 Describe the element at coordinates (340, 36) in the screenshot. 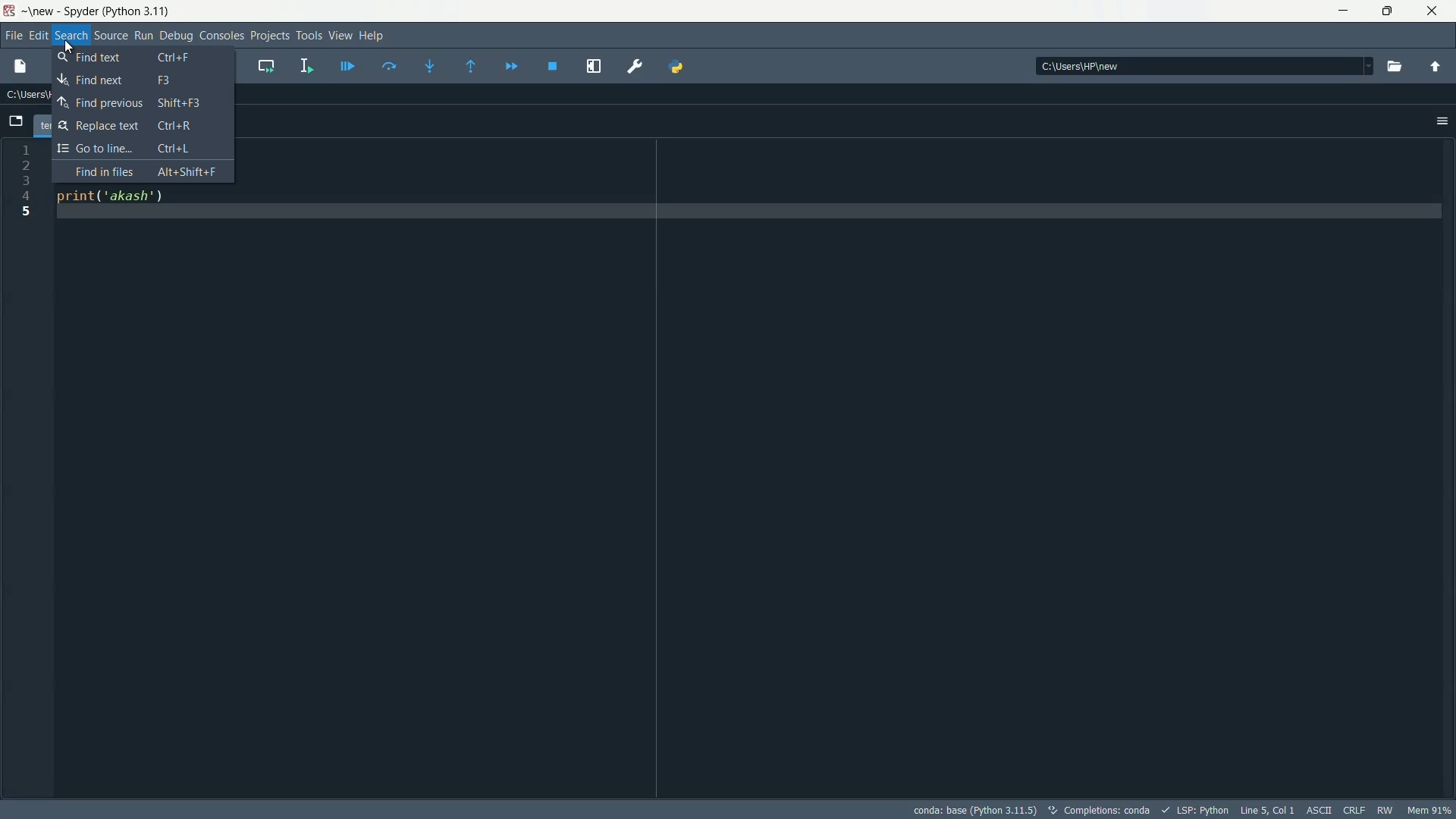

I see `view menu` at that location.